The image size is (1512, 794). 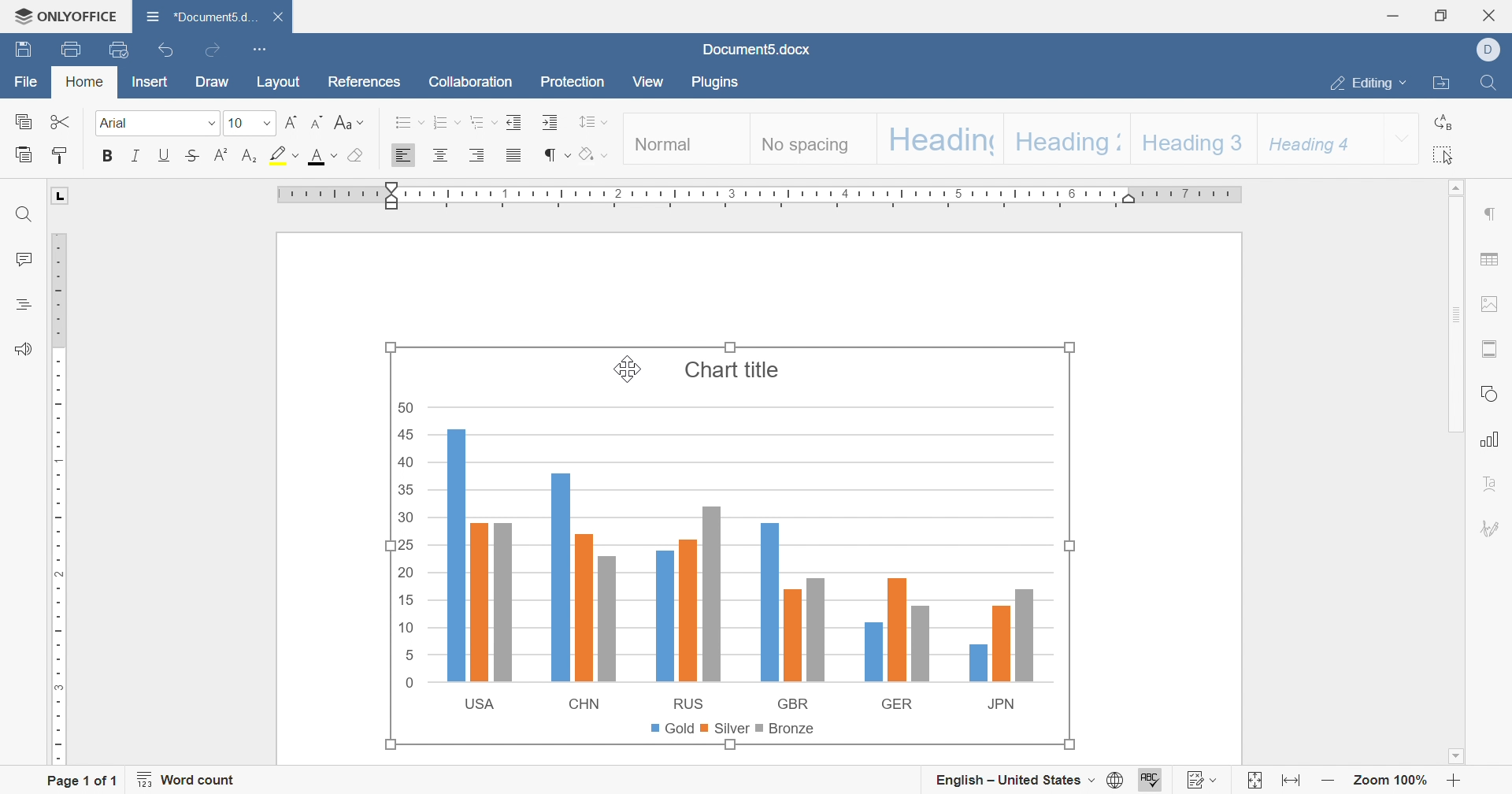 What do you see at coordinates (574, 82) in the screenshot?
I see `protection` at bounding box center [574, 82].